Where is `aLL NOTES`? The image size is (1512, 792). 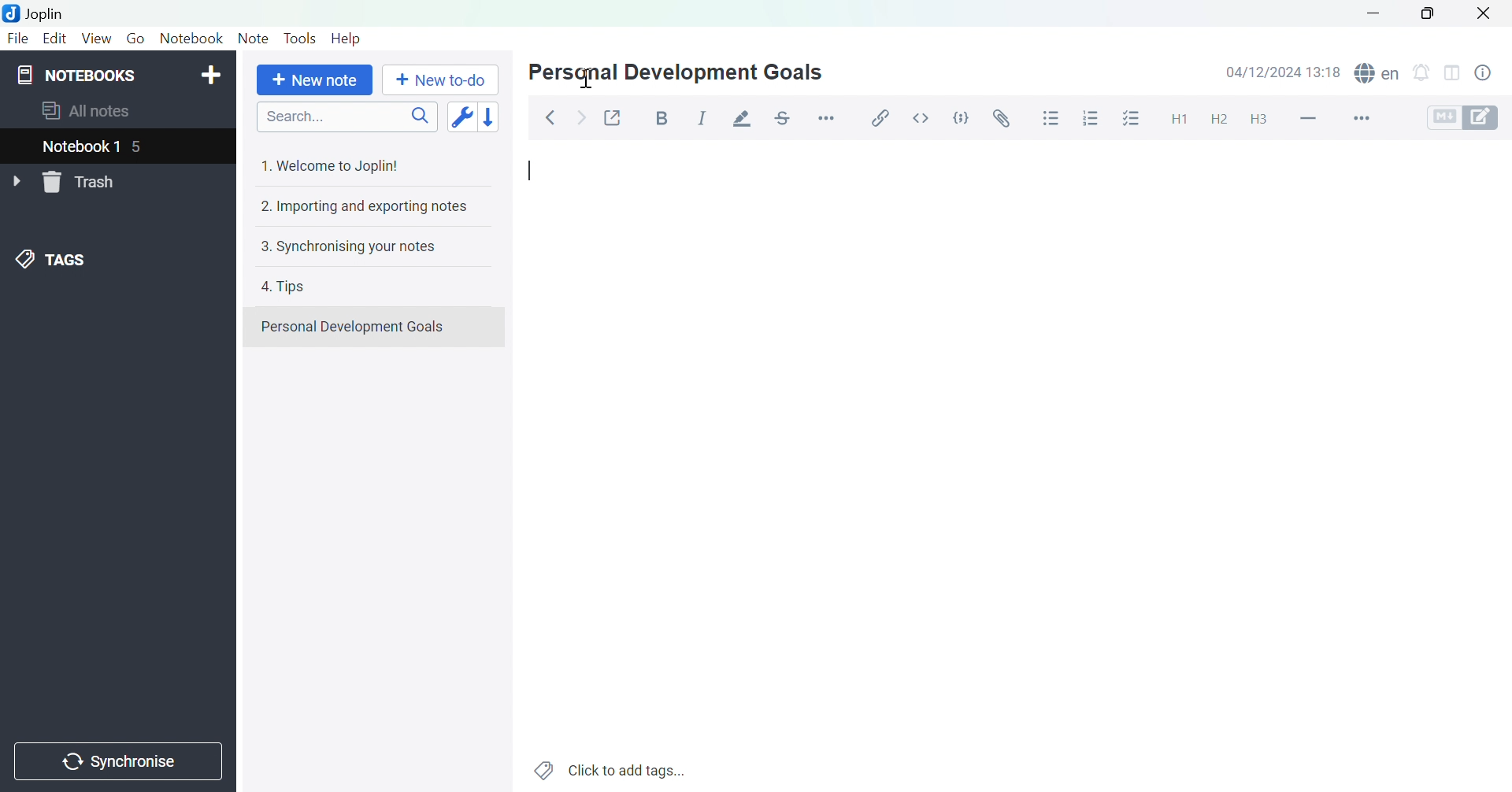 aLL NOTES is located at coordinates (95, 112).